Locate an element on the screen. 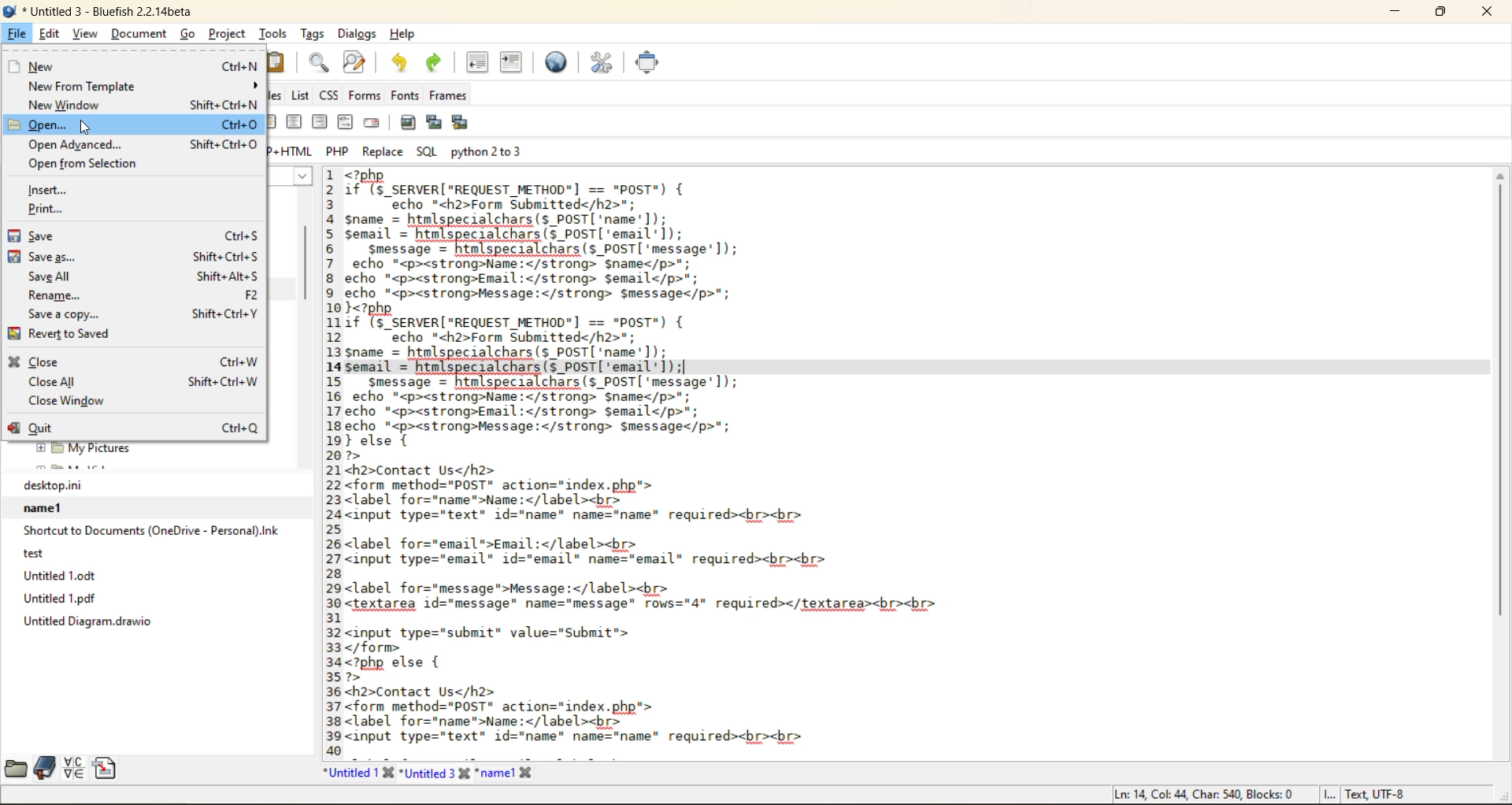  metadata is located at coordinates (1260, 795).